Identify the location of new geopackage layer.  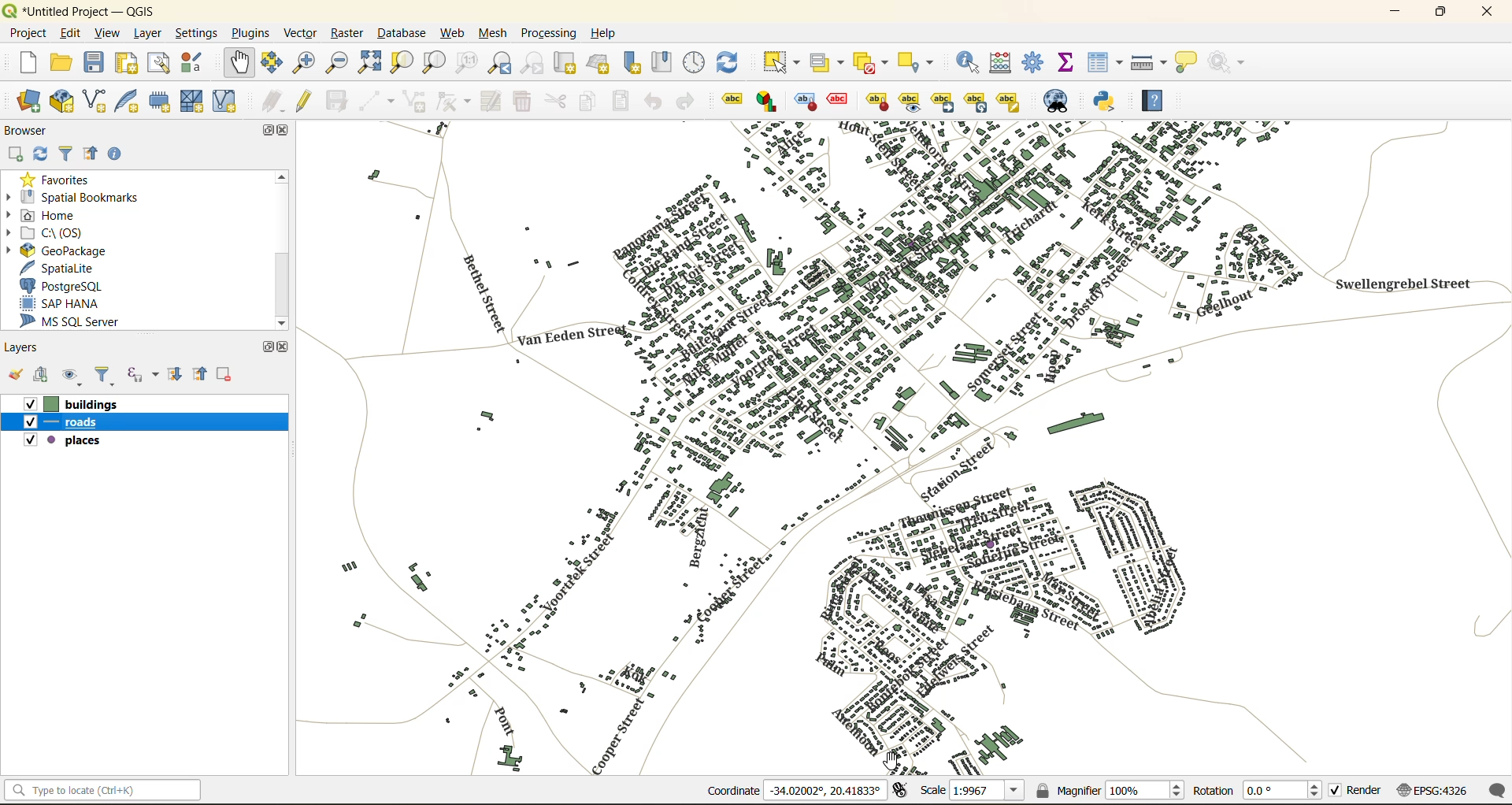
(66, 105).